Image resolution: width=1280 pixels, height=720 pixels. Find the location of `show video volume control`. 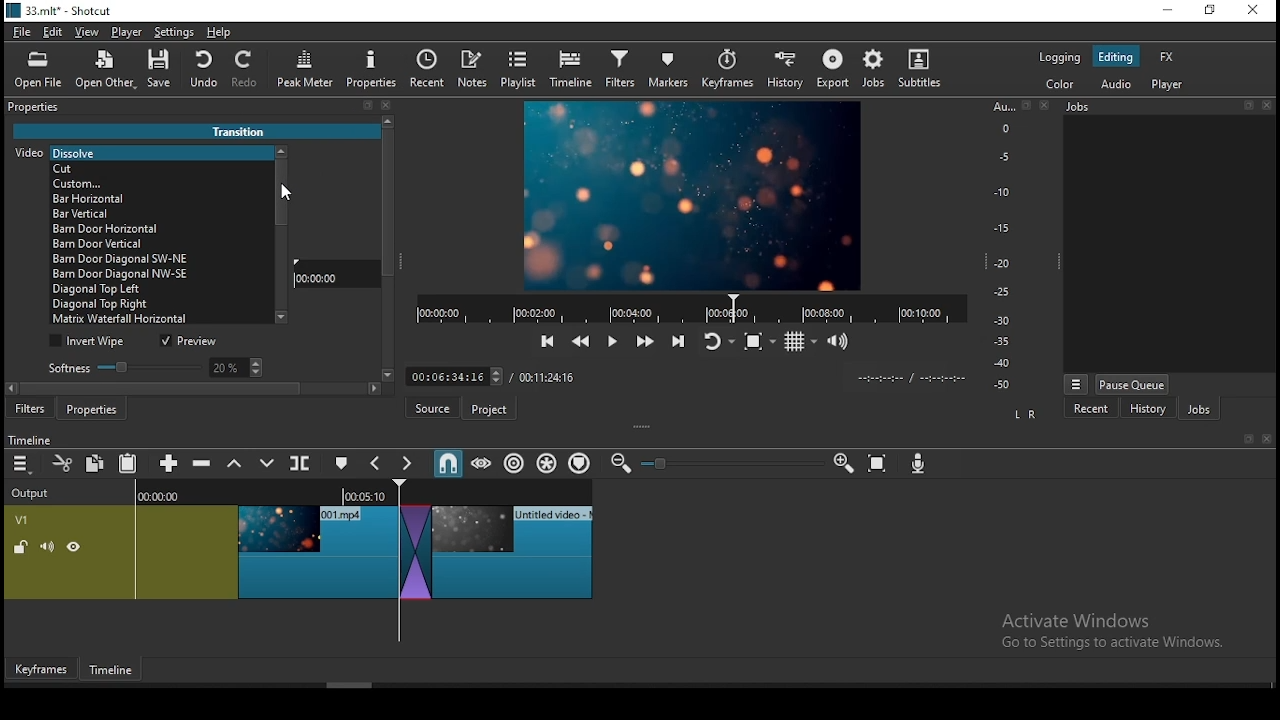

show video volume control is located at coordinates (839, 335).